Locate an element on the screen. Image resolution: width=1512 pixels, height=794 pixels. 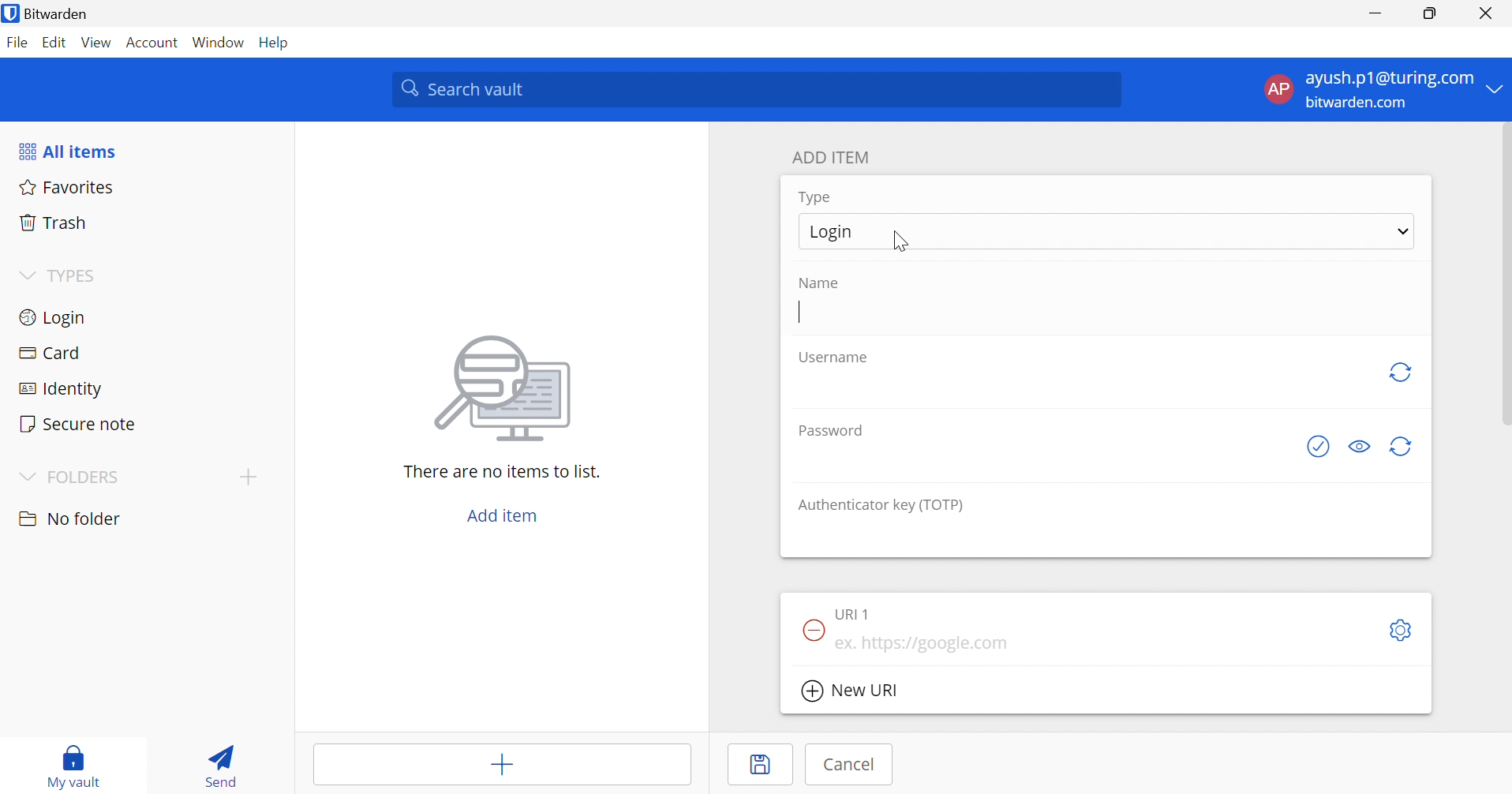
Help is located at coordinates (276, 43).